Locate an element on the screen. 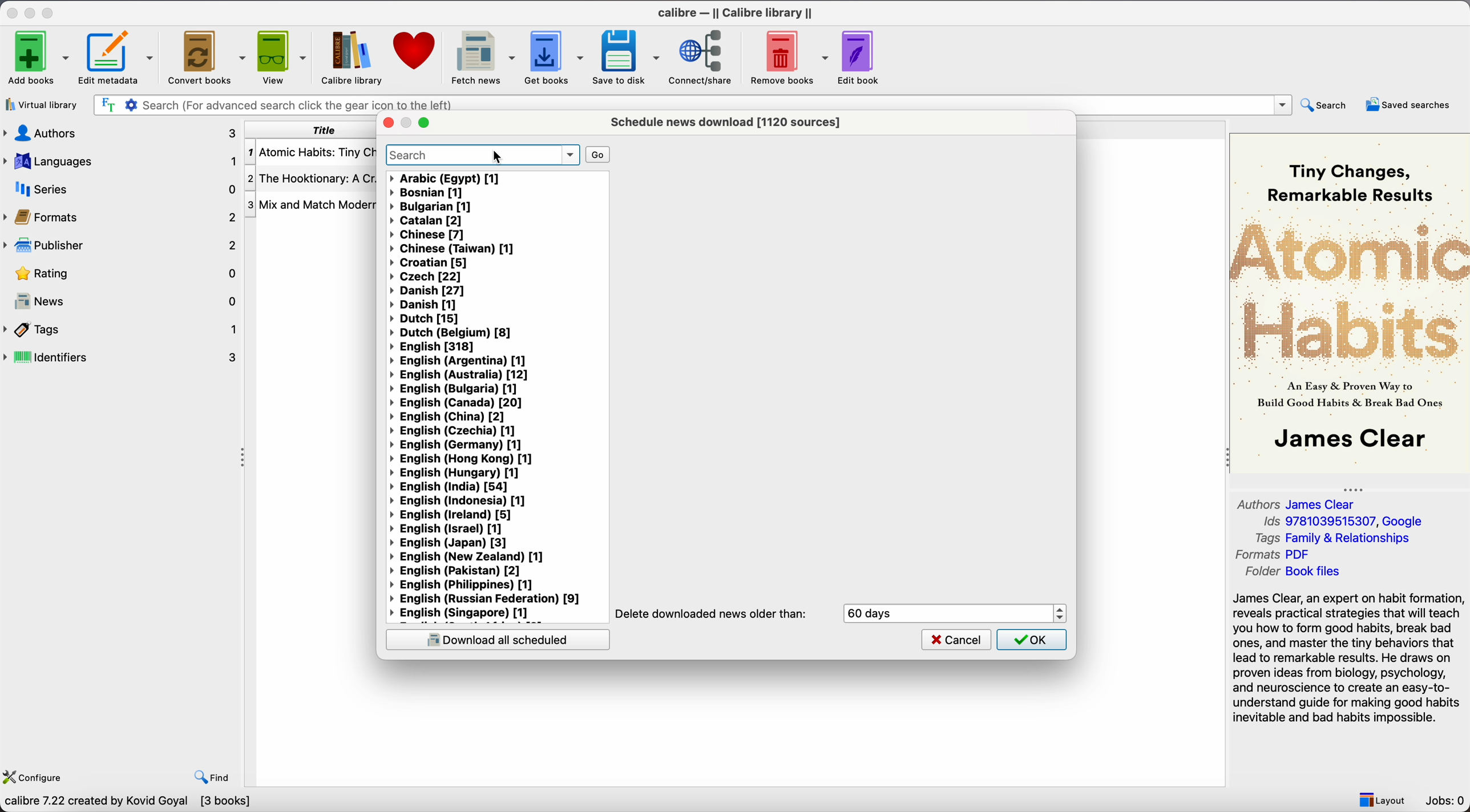 Image resolution: width=1470 pixels, height=812 pixels. donate is located at coordinates (413, 55).